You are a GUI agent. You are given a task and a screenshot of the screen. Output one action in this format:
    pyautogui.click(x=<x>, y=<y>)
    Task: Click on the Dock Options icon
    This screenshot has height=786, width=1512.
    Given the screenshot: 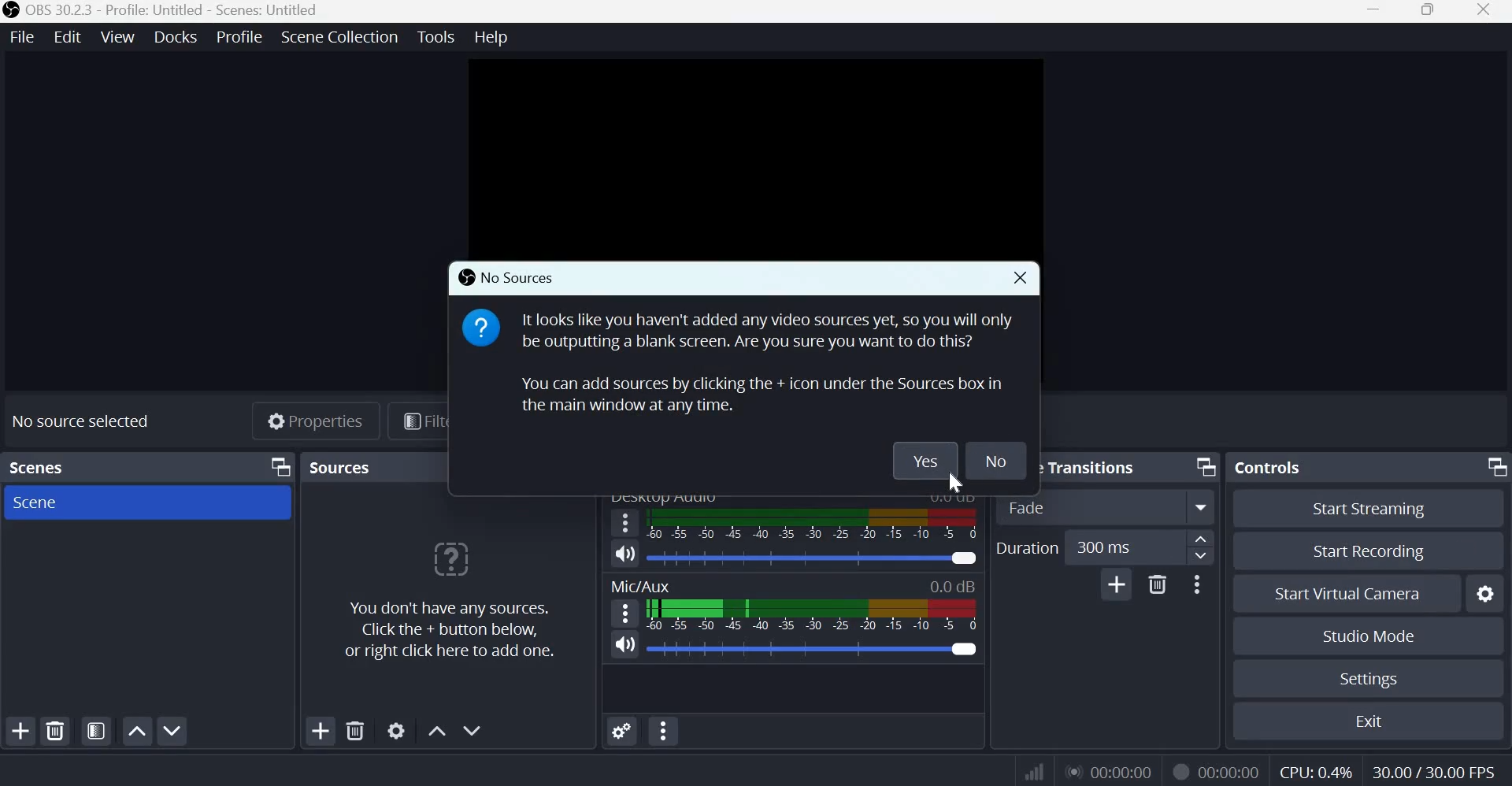 What is the action you would take?
    pyautogui.click(x=1206, y=468)
    